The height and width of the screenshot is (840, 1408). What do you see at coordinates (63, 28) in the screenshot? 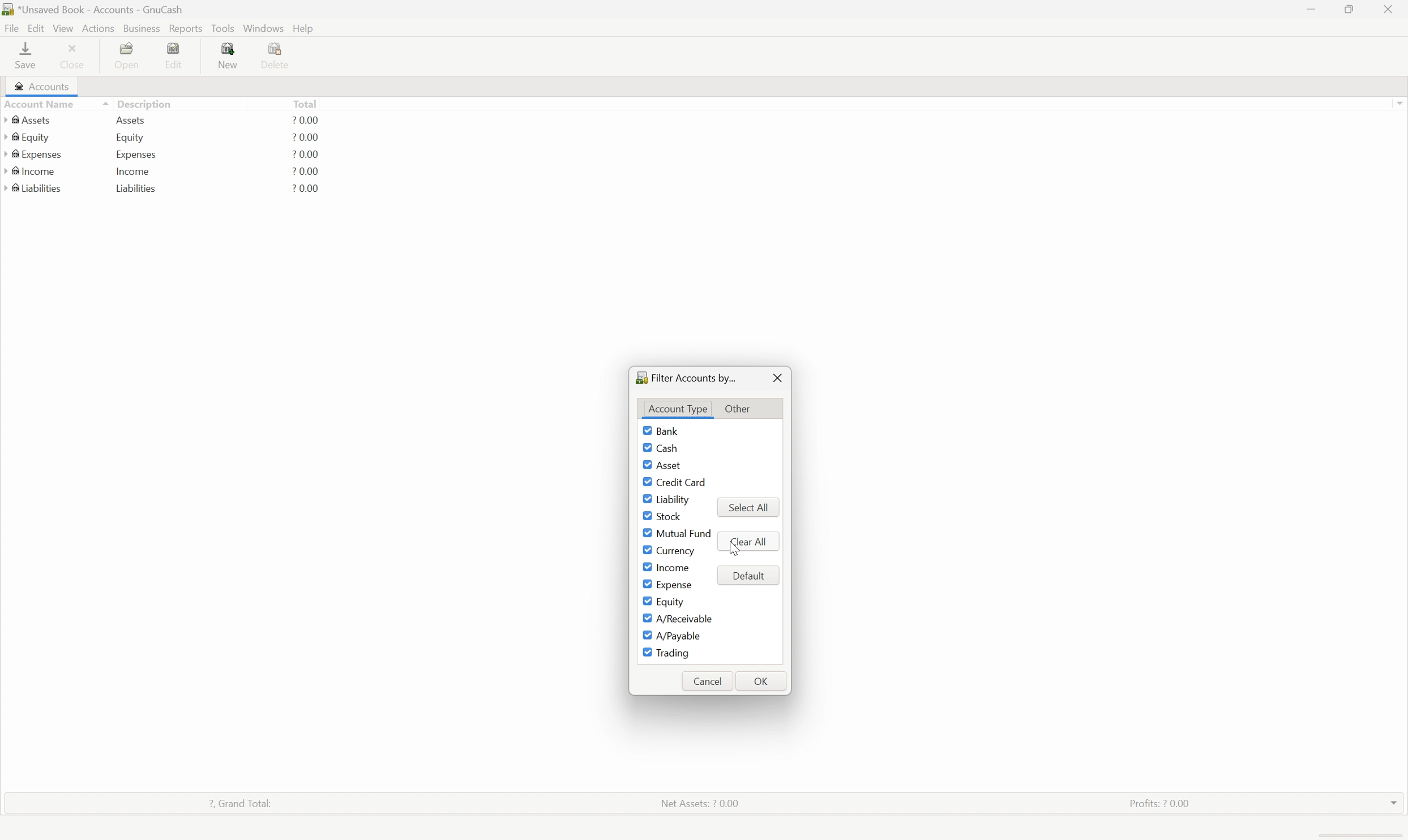
I see `View` at bounding box center [63, 28].